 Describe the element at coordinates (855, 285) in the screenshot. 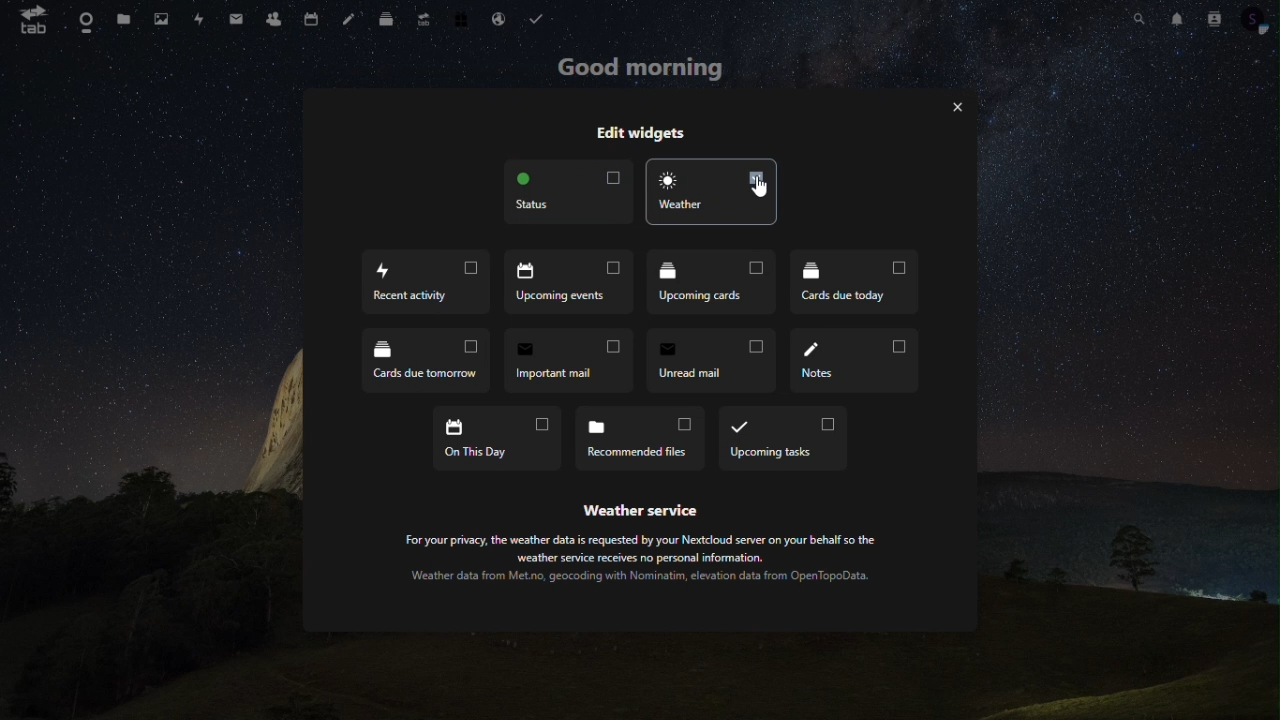

I see `cards due today` at that location.